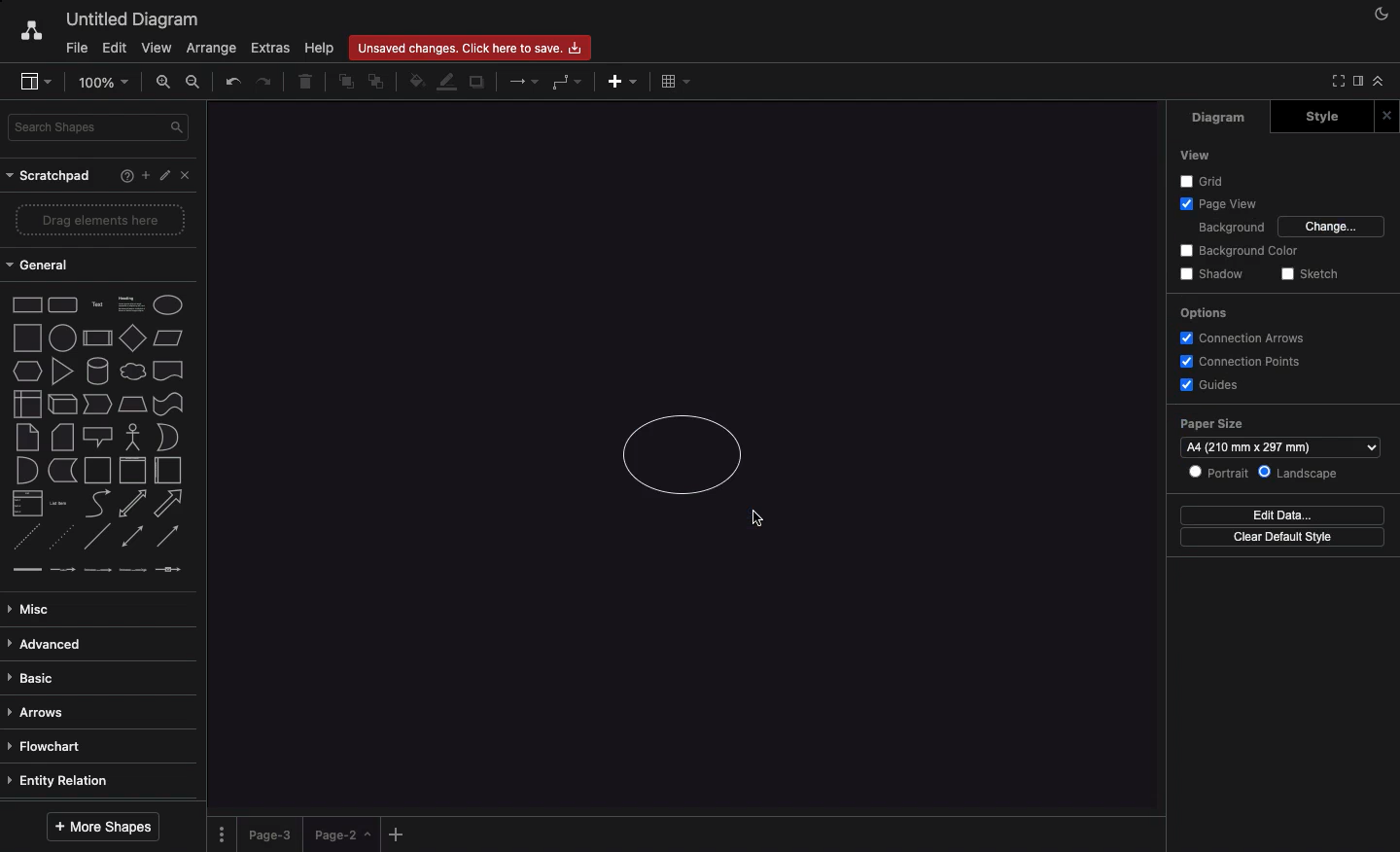  What do you see at coordinates (190, 179) in the screenshot?
I see `Close` at bounding box center [190, 179].